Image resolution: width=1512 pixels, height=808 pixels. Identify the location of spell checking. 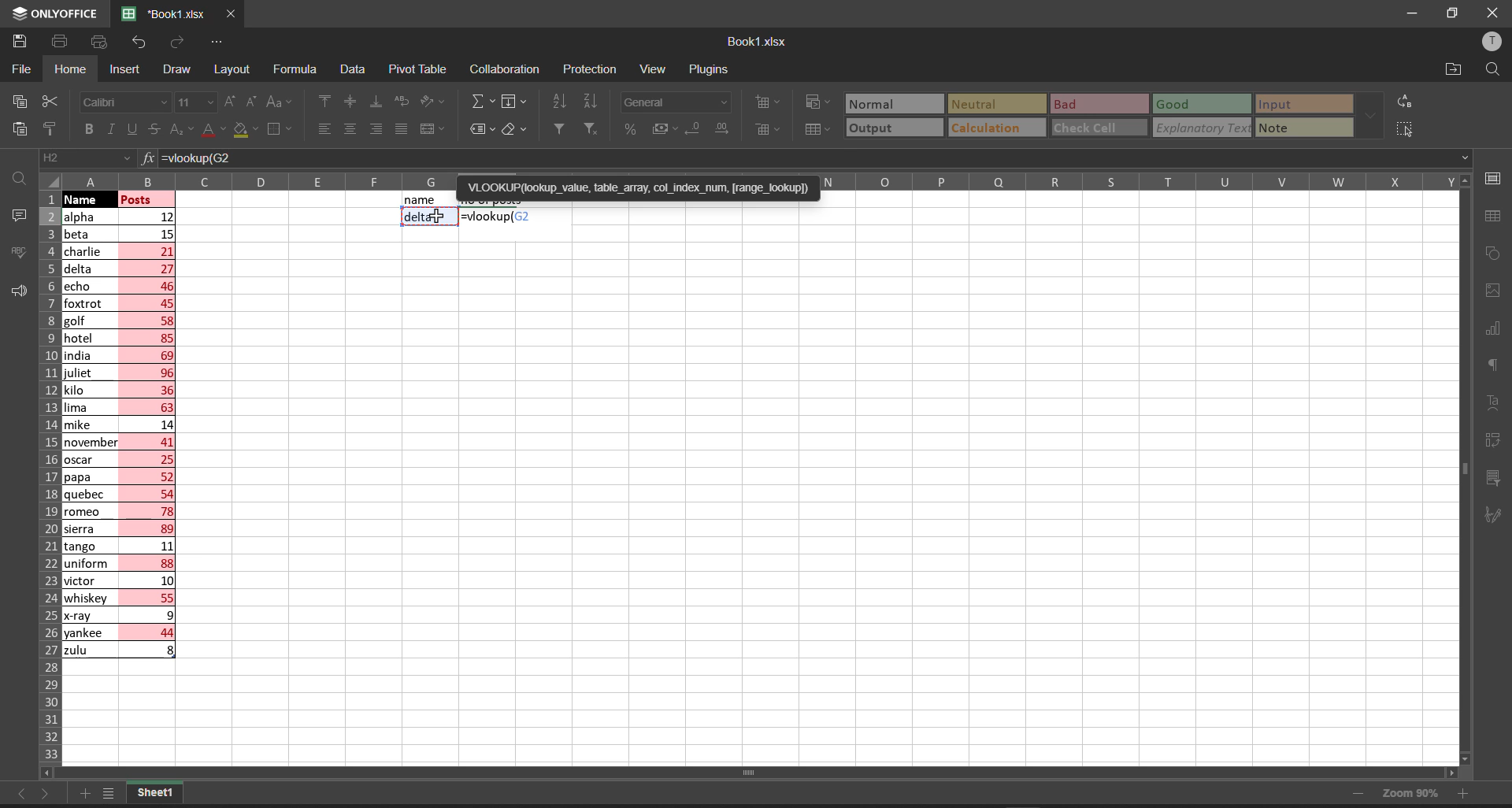
(15, 252).